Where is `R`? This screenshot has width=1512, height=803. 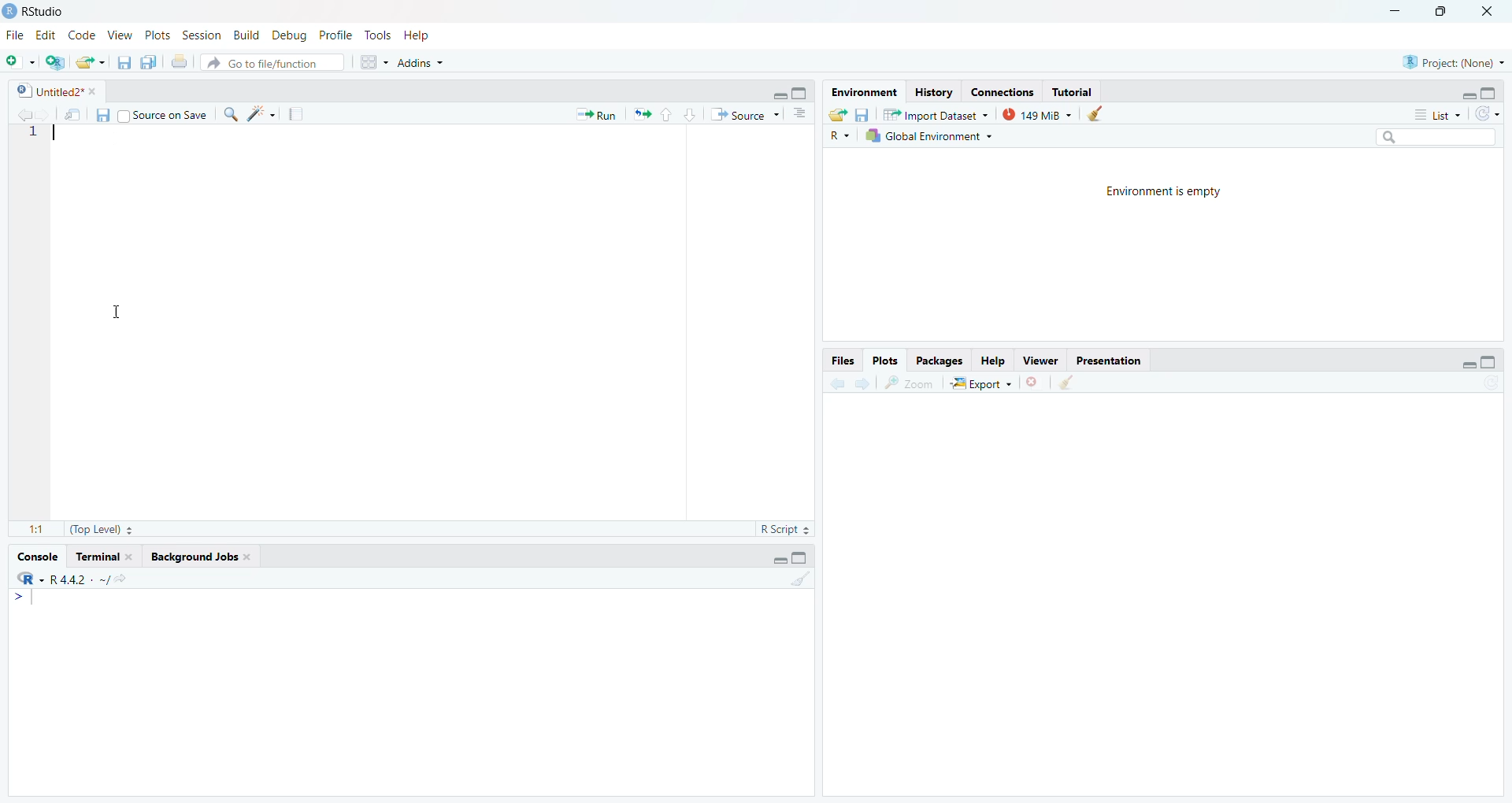
R is located at coordinates (842, 135).